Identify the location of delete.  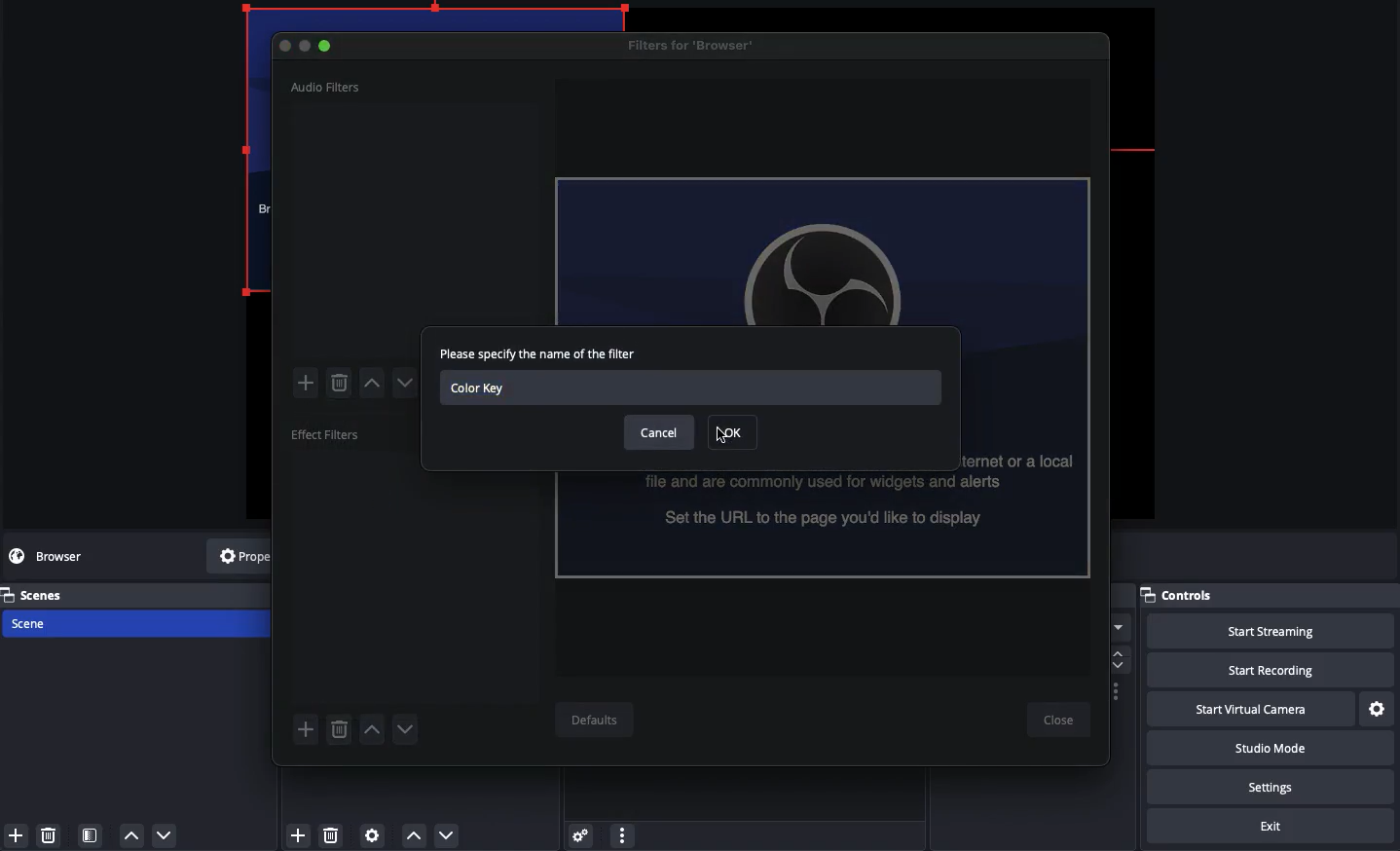
(338, 384).